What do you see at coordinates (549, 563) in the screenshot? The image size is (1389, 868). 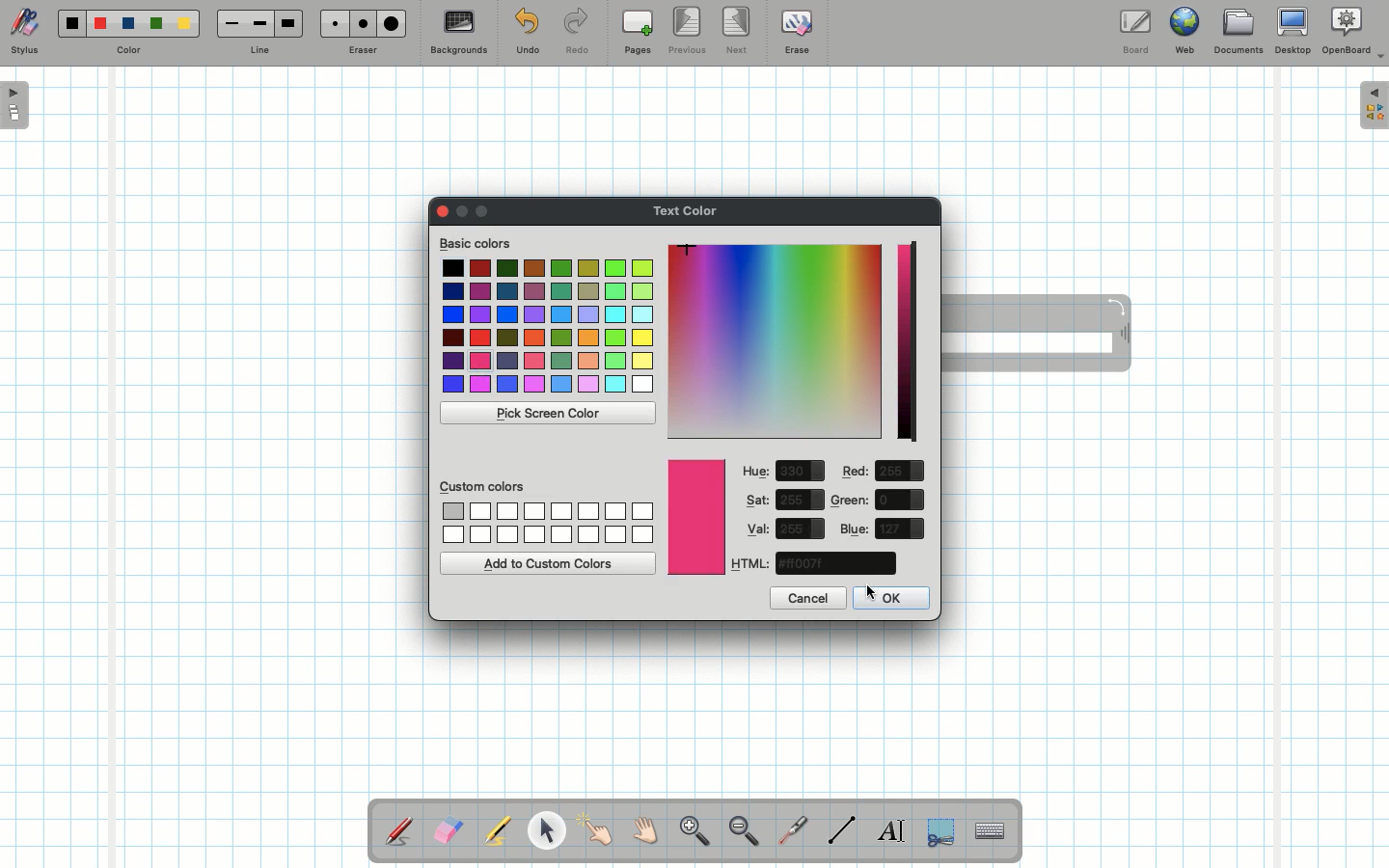 I see `Add to custom colors` at bounding box center [549, 563].